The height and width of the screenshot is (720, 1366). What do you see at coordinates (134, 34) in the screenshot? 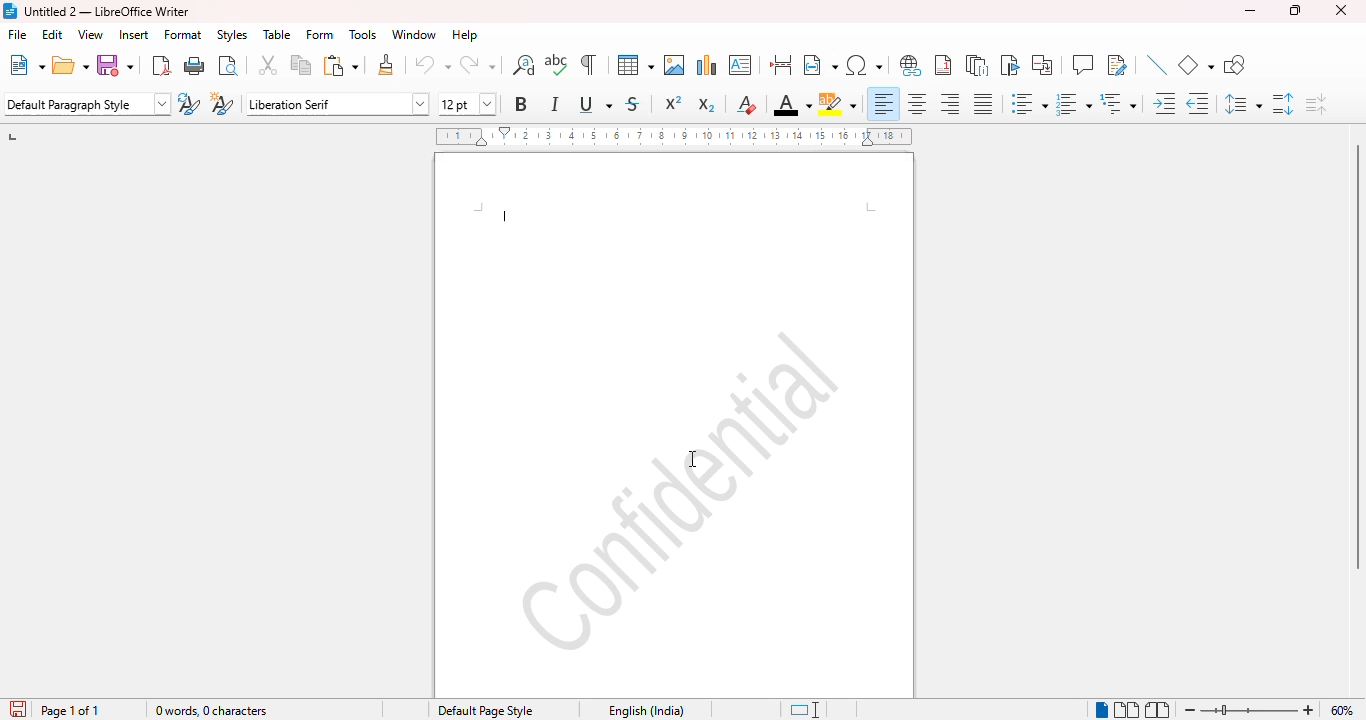
I see `insert` at bounding box center [134, 34].